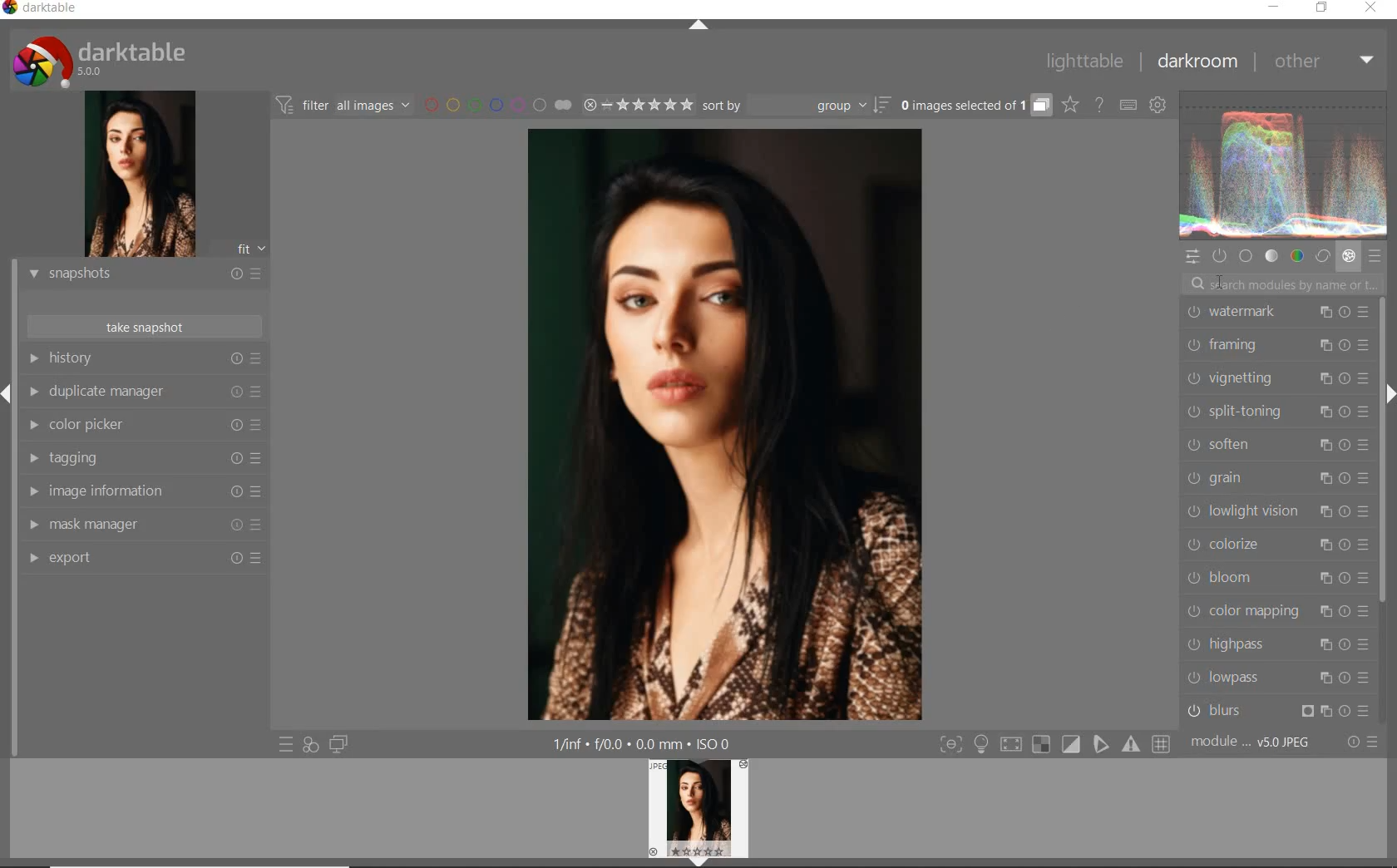 The width and height of the screenshot is (1397, 868). I want to click on export, so click(143, 560).